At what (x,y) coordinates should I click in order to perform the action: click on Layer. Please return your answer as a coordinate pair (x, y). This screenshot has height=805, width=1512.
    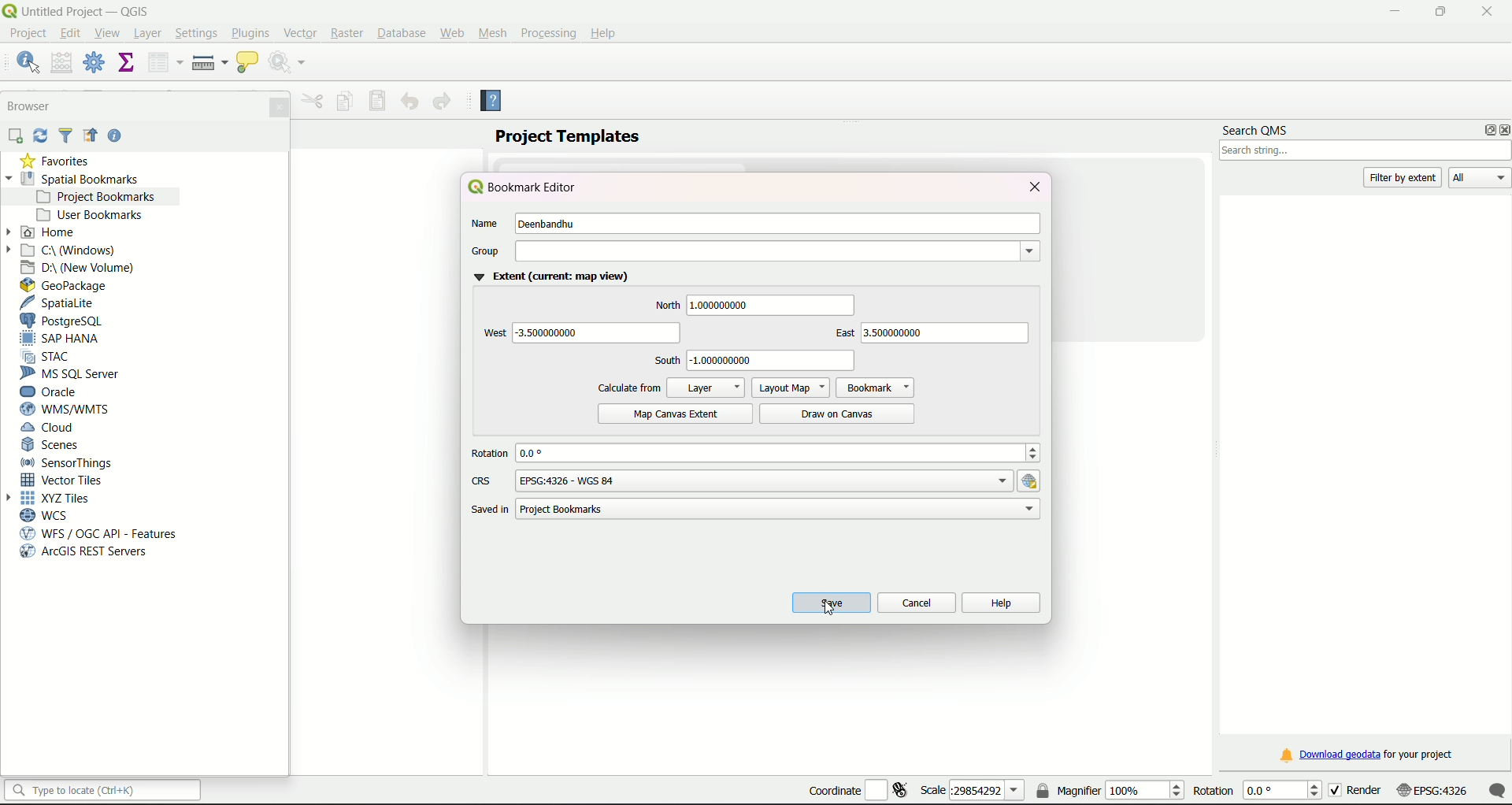
    Looking at the image, I should click on (706, 388).